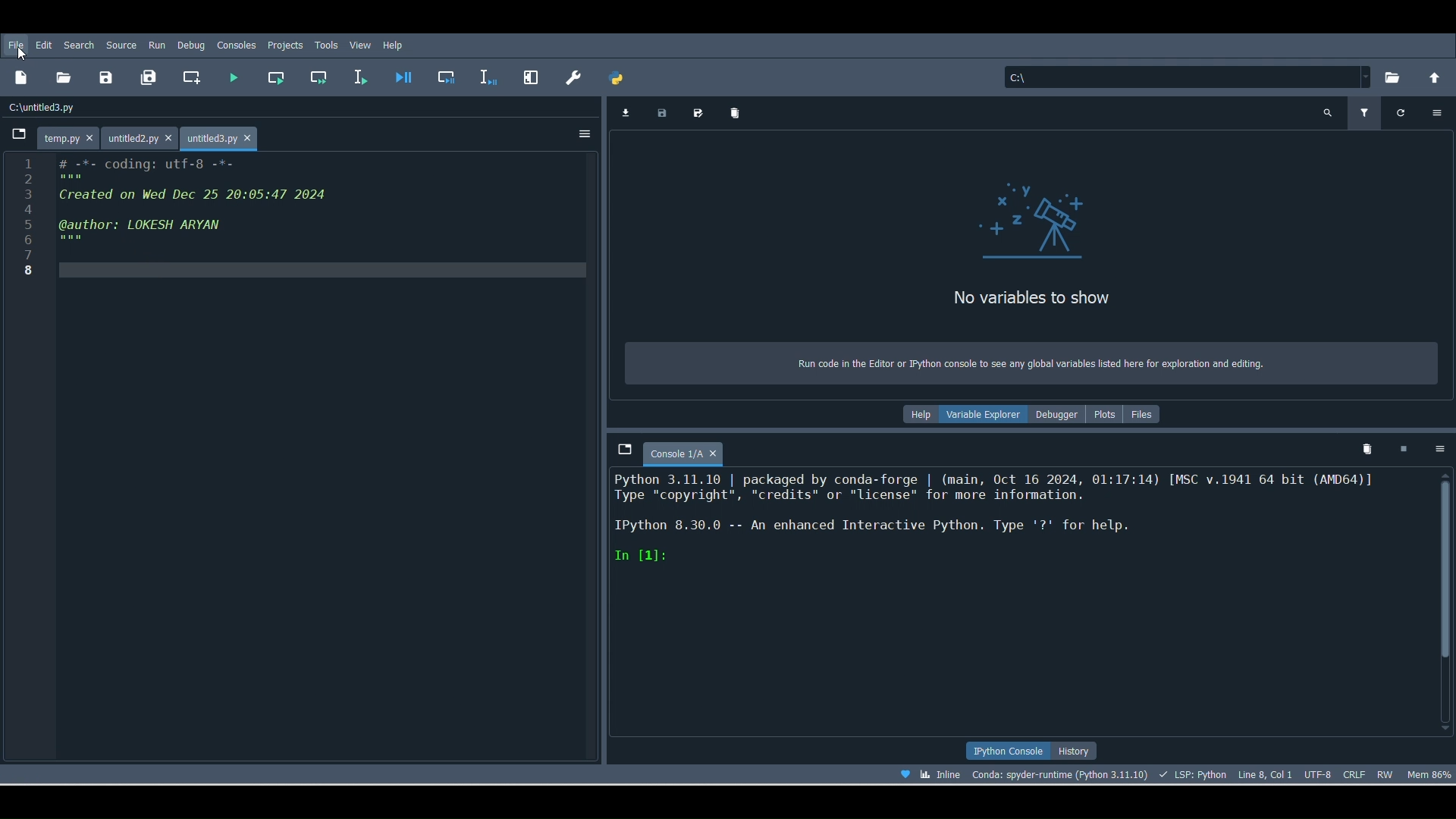 This screenshot has height=819, width=1456. Describe the element at coordinates (623, 452) in the screenshot. I see `Browse tabs` at that location.